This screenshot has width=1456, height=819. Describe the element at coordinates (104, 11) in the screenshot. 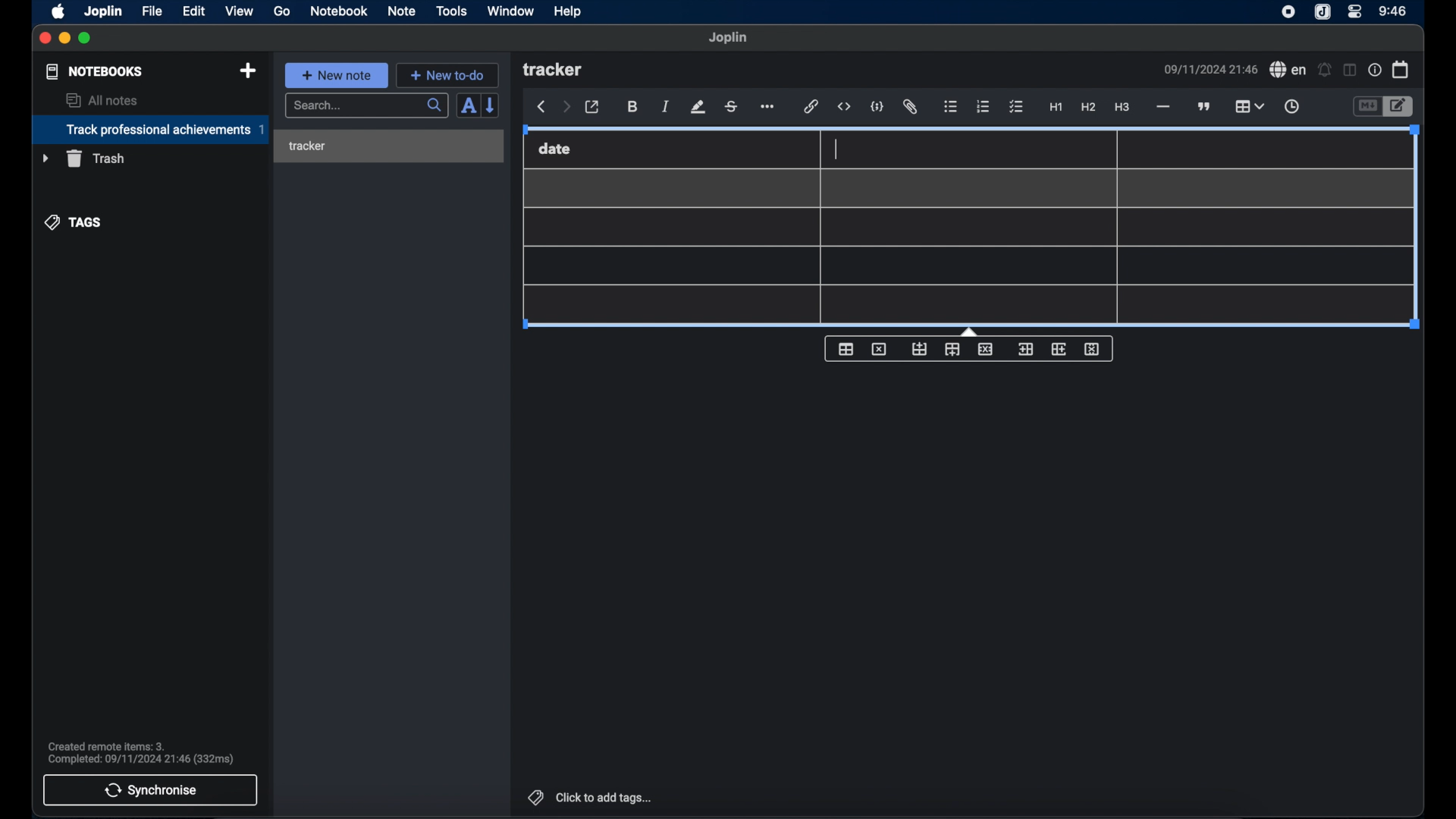

I see `joplin` at that location.